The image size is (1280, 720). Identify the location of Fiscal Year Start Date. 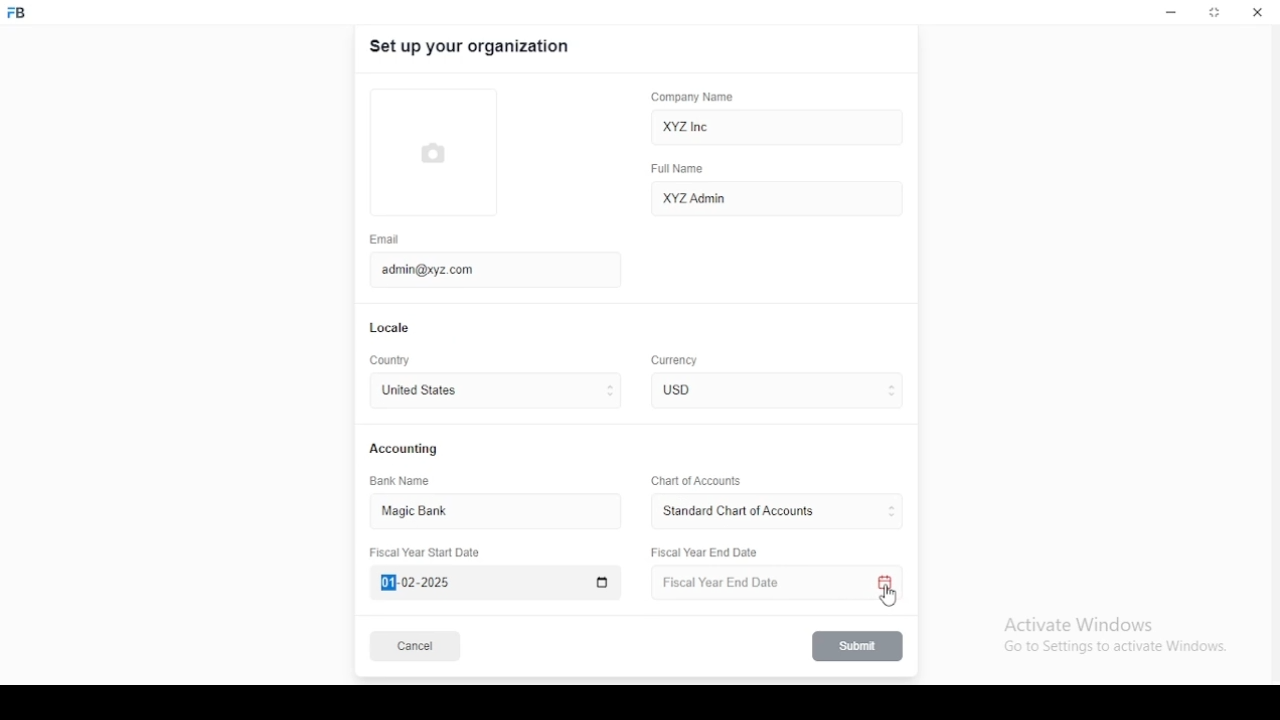
(498, 583).